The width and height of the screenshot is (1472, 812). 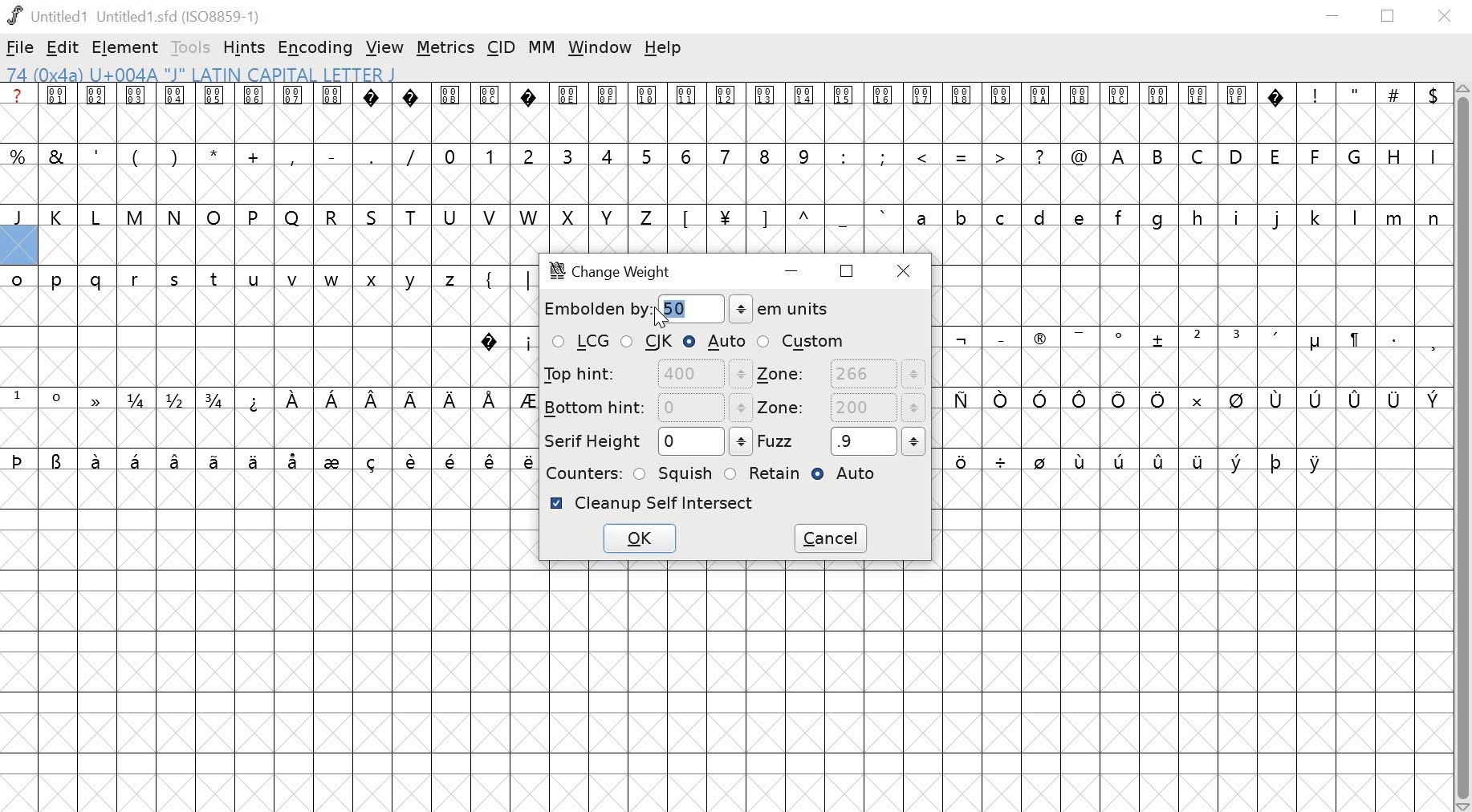 What do you see at coordinates (384, 49) in the screenshot?
I see `VIEW` at bounding box center [384, 49].